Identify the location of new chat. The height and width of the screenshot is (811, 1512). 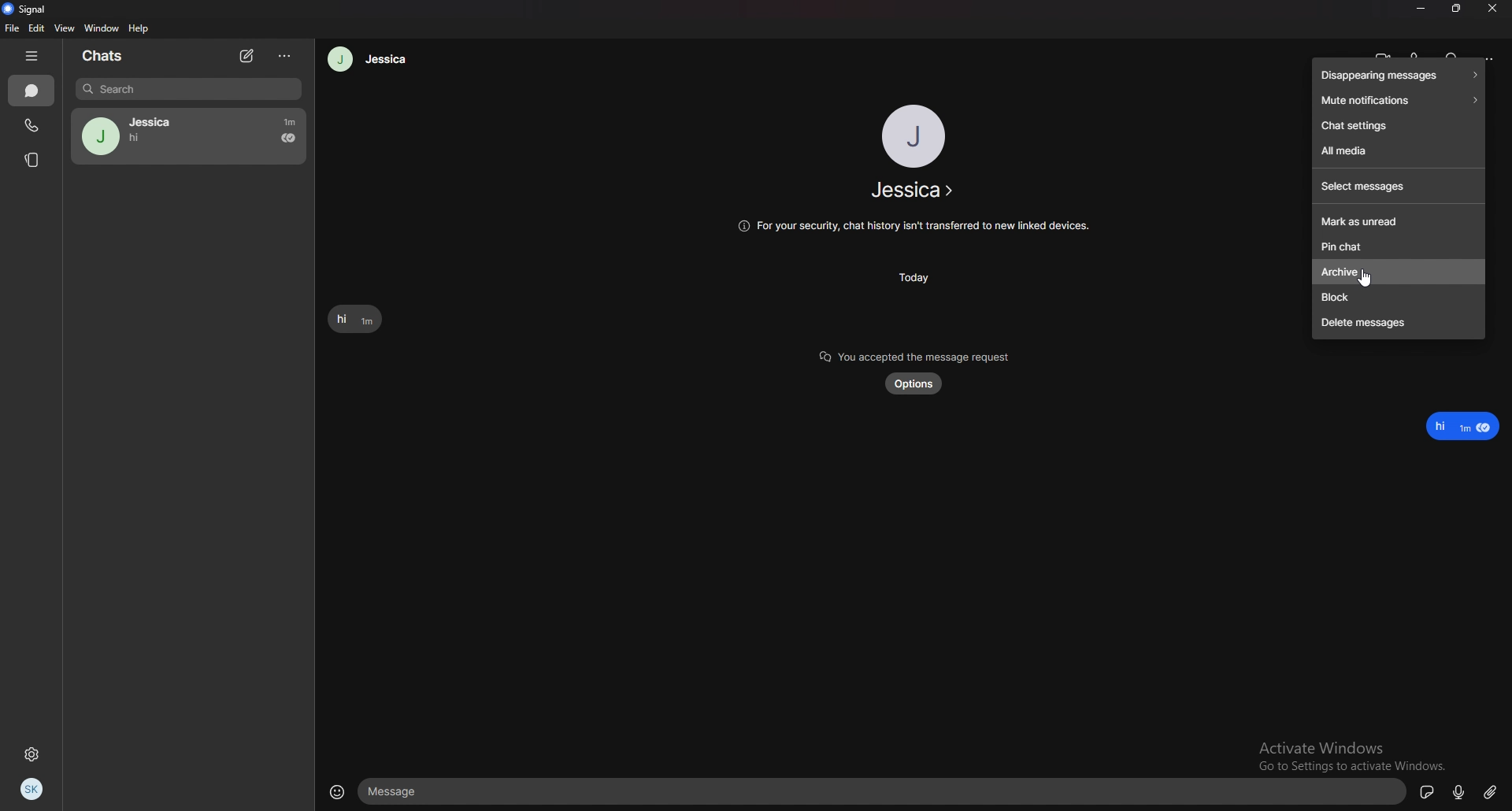
(249, 56).